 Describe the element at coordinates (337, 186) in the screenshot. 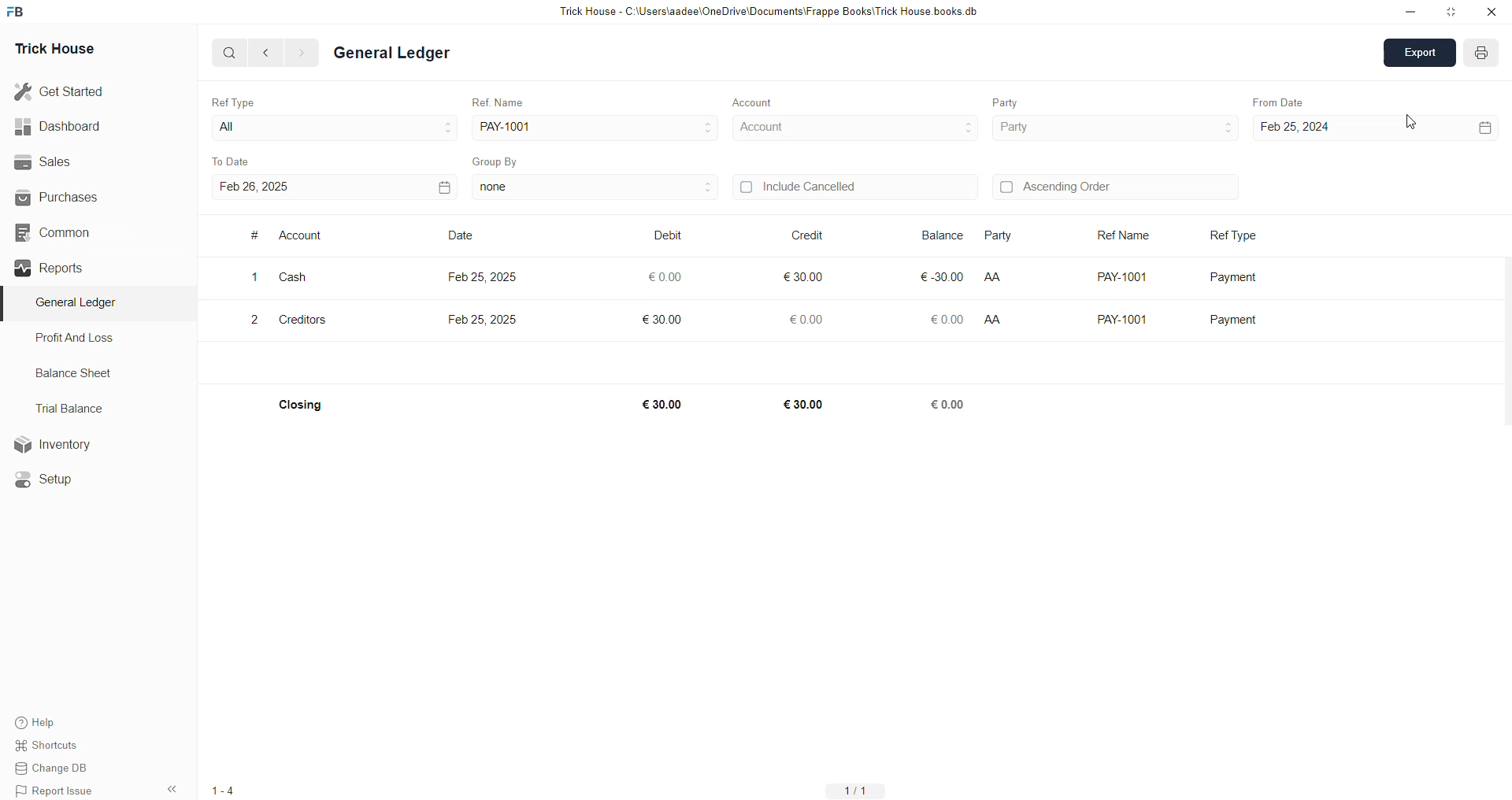

I see `Feb 26, 2025` at that location.